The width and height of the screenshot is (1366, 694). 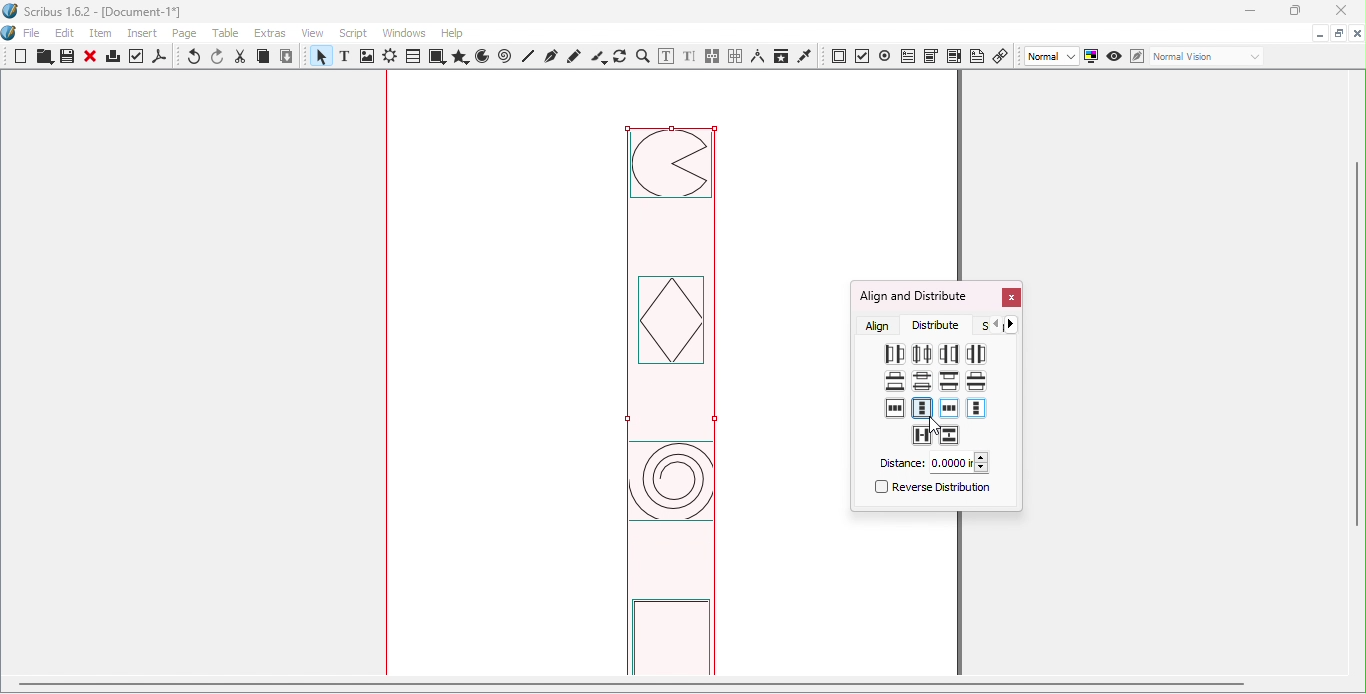 I want to click on Image frame, so click(x=369, y=58).